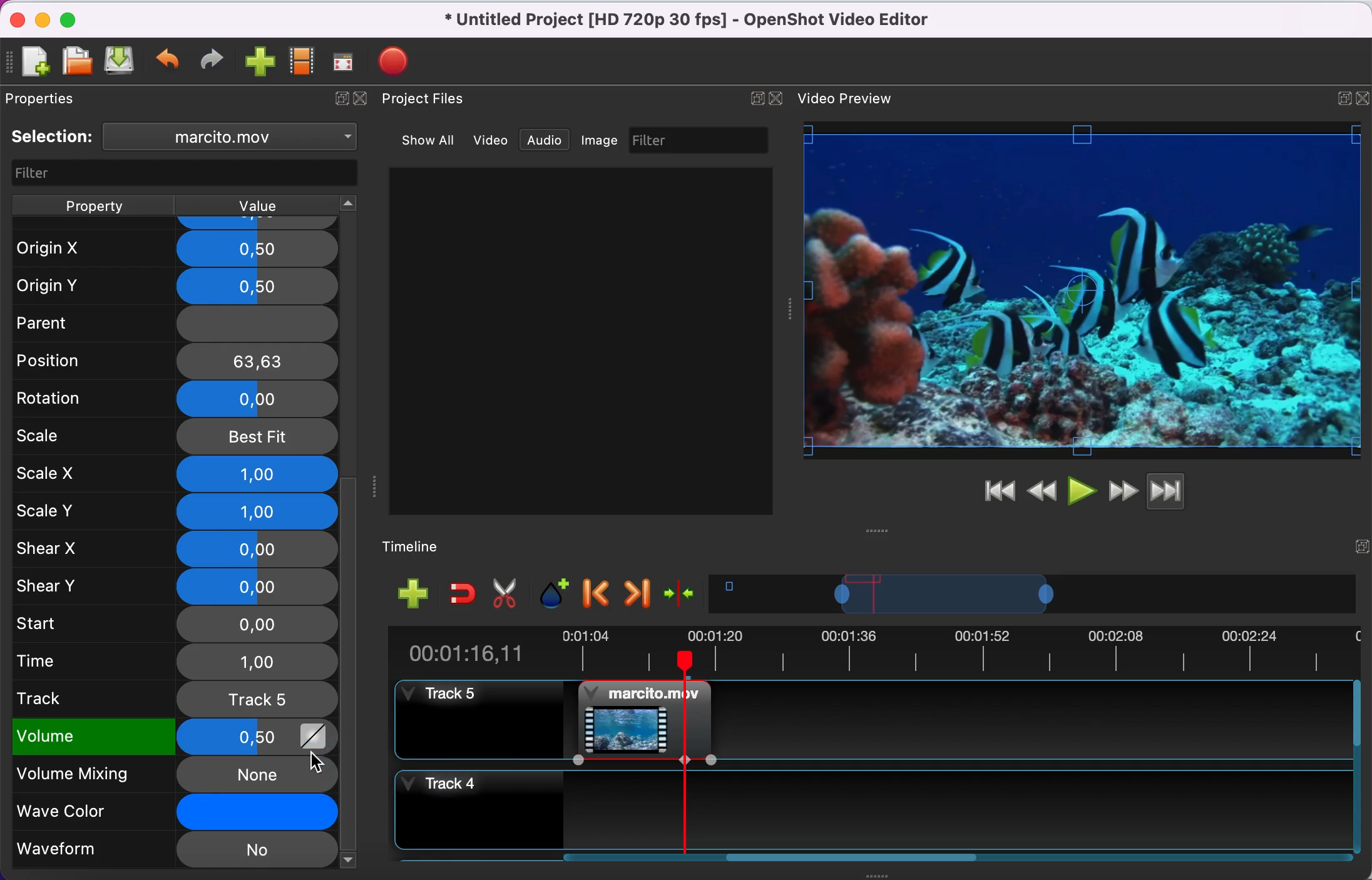 The image size is (1372, 880). Describe the element at coordinates (215, 61) in the screenshot. I see `redo` at that location.